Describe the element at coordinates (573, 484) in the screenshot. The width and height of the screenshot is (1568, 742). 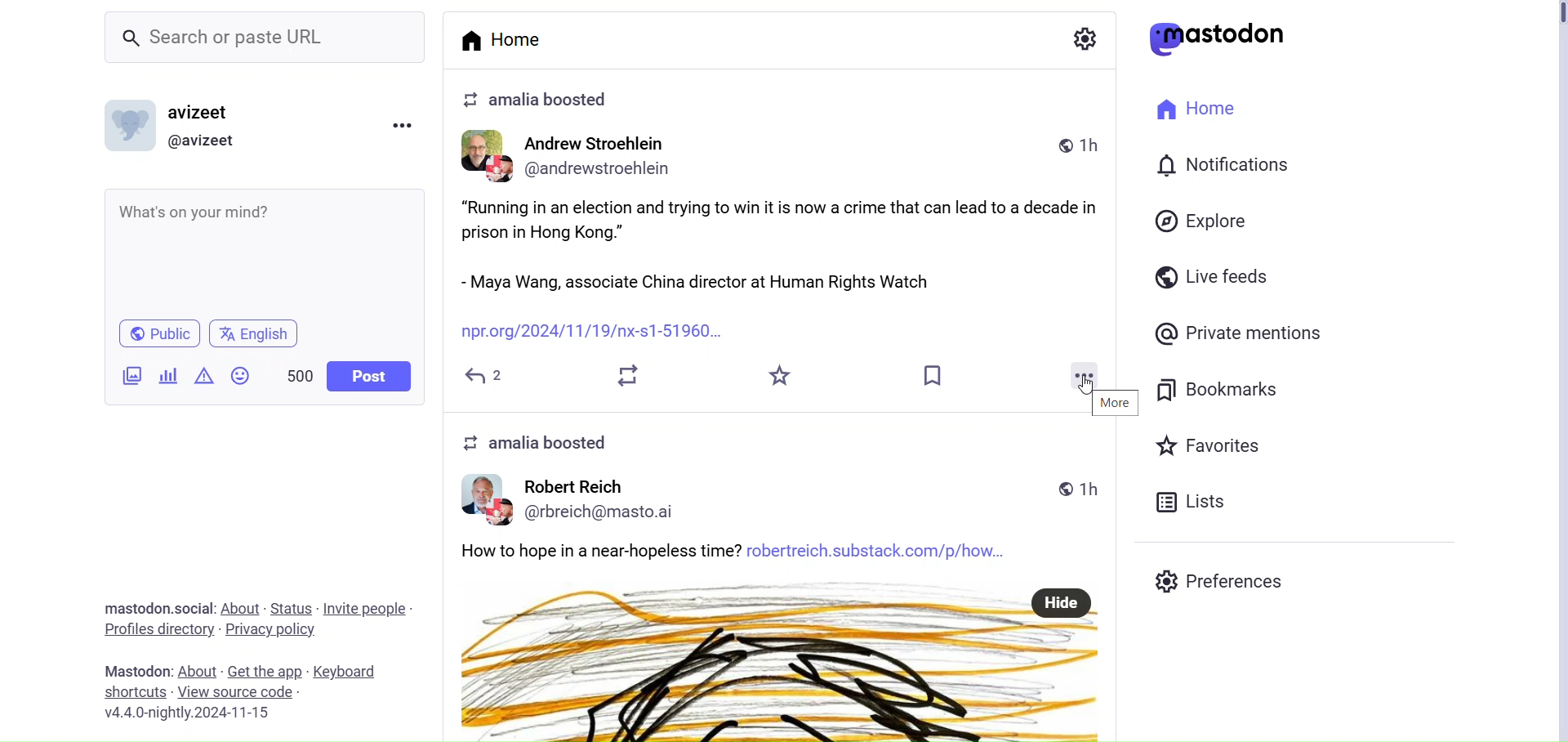
I see `User Name ` at that location.